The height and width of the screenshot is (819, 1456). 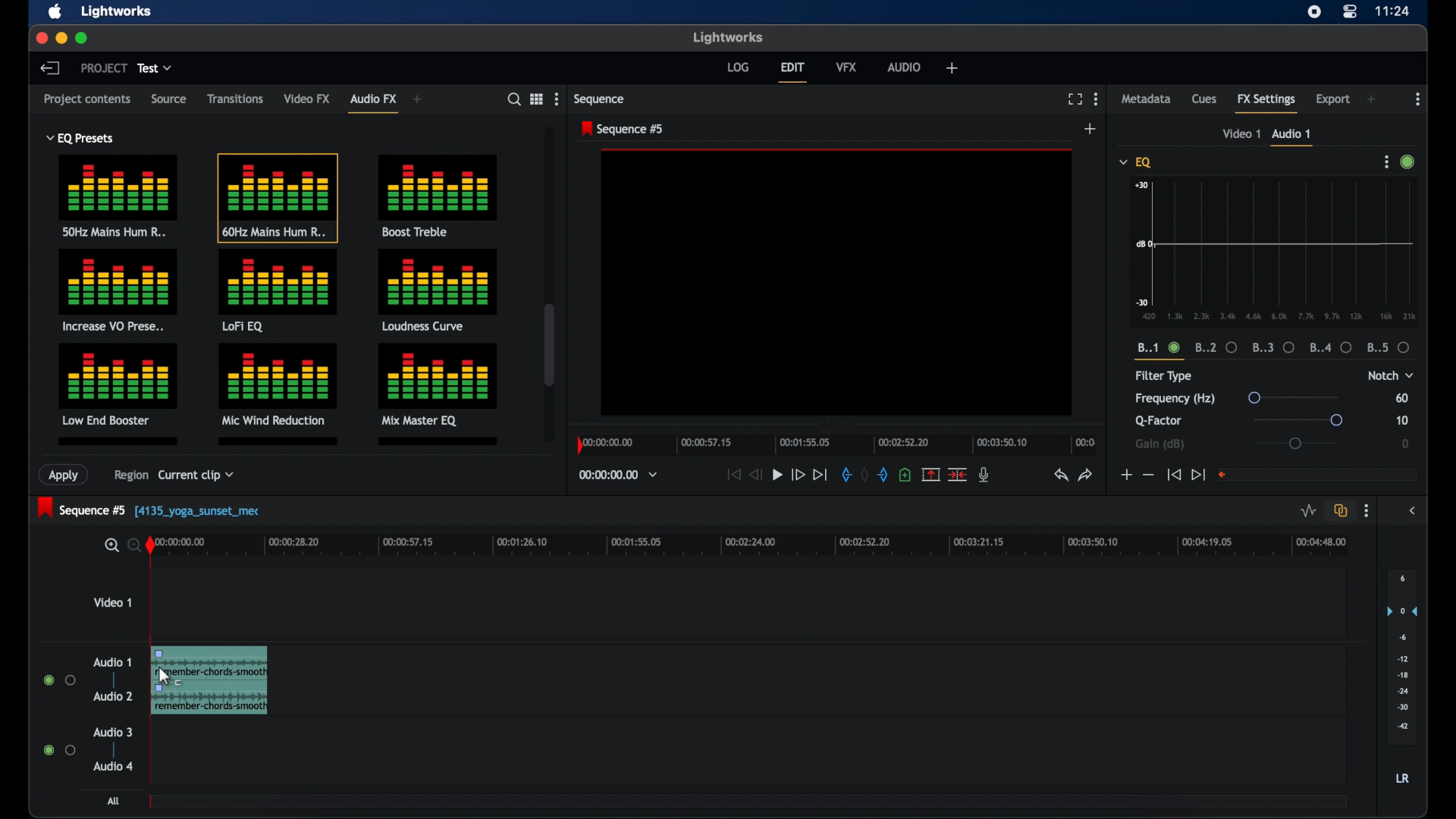 What do you see at coordinates (196, 478) in the screenshot?
I see `current clip` at bounding box center [196, 478].